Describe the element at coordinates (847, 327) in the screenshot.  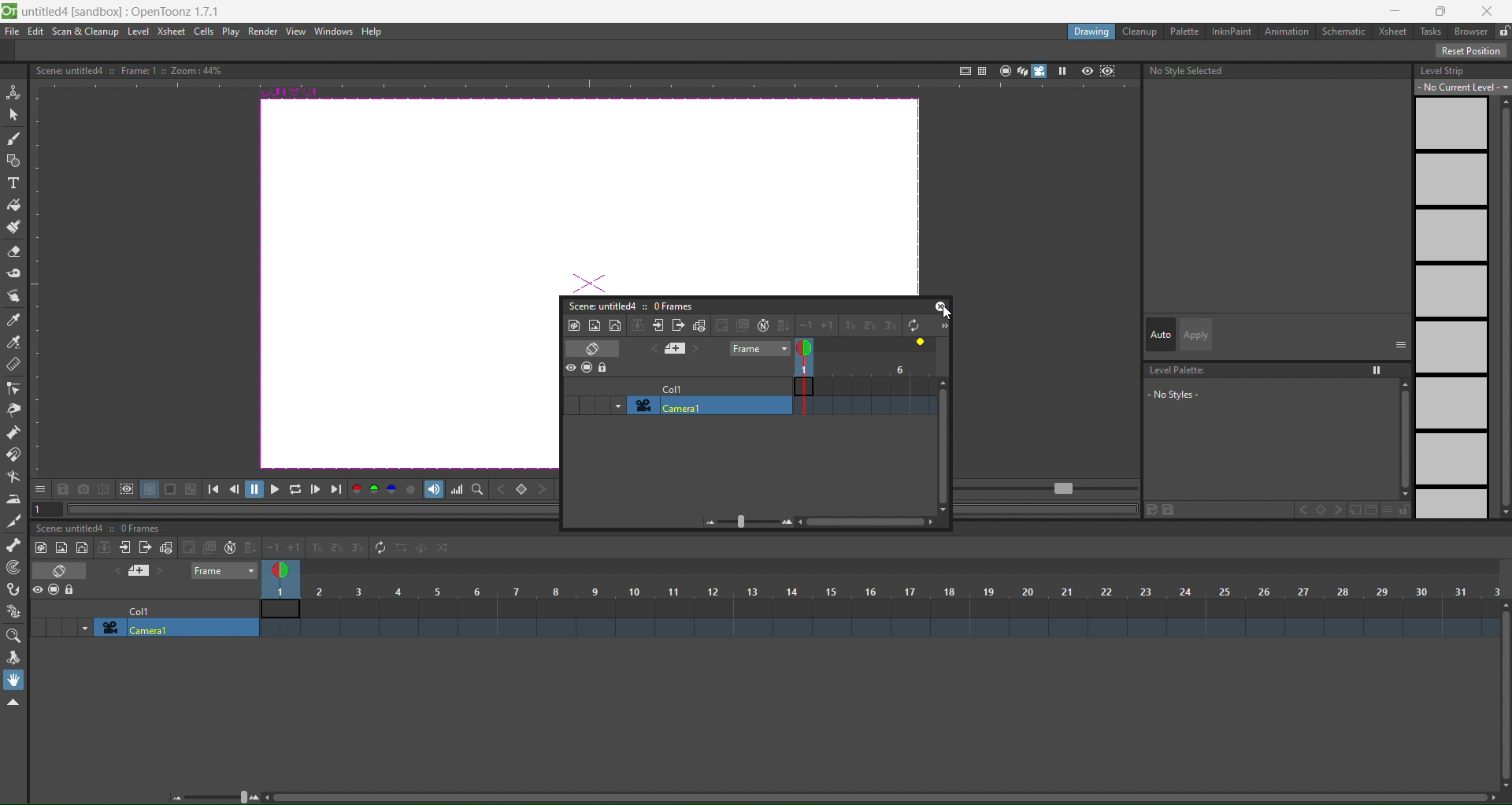
I see `increase step` at that location.